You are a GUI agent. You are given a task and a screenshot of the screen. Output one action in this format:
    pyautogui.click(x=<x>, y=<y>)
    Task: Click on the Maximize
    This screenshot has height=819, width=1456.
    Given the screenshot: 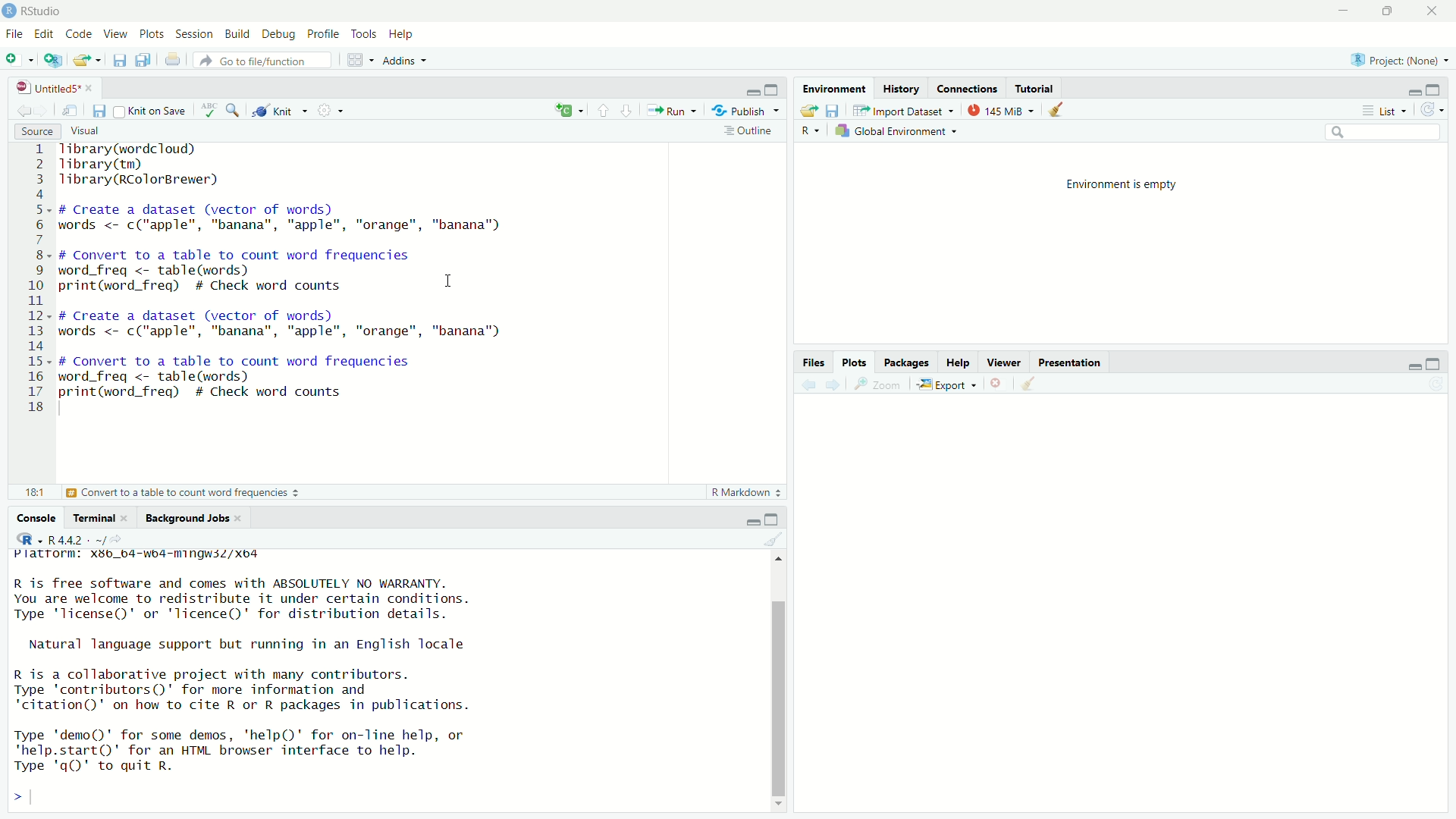 What is the action you would take?
    pyautogui.click(x=1432, y=364)
    